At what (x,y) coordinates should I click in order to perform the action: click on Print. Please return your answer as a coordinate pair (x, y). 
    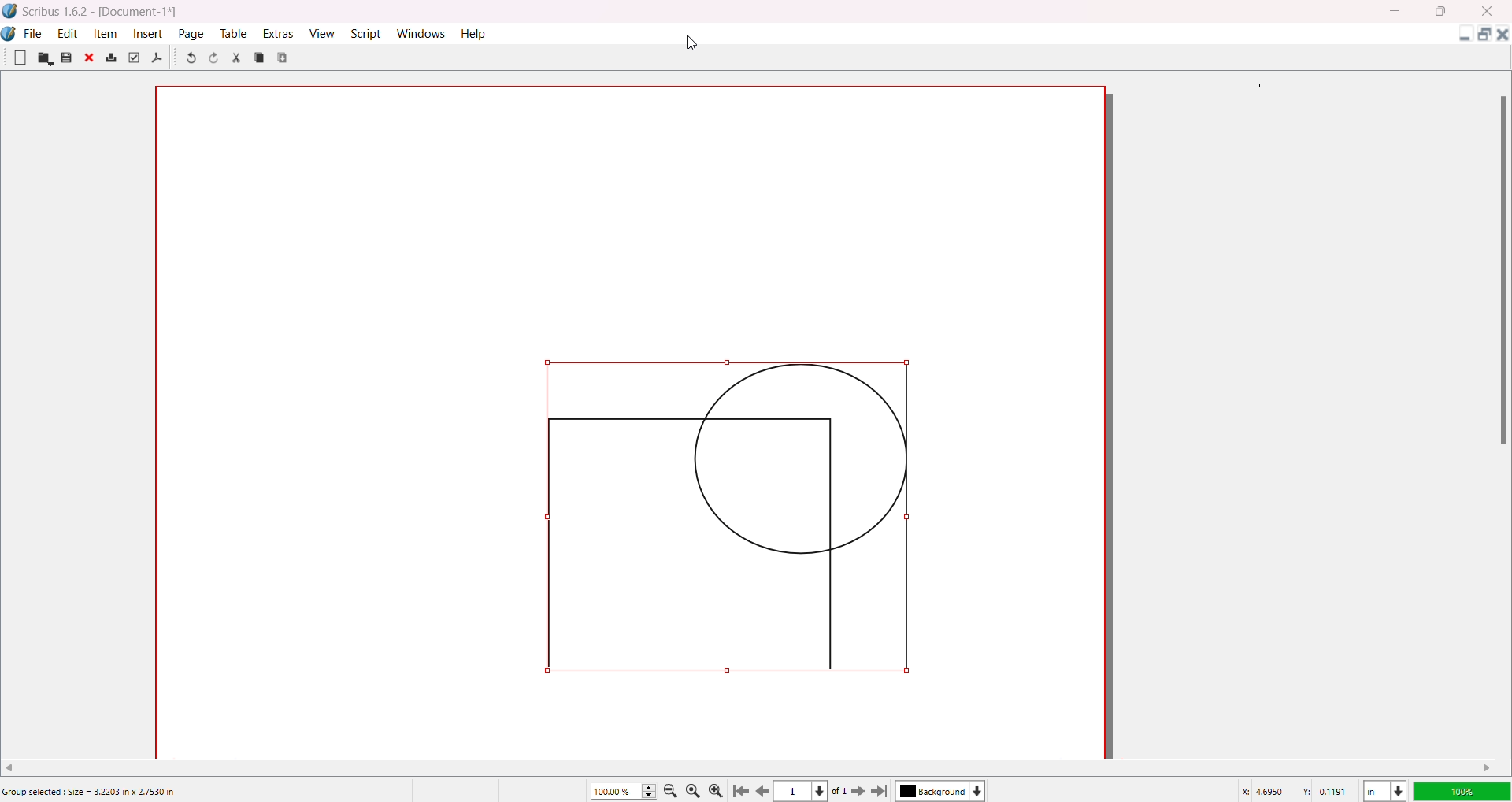
    Looking at the image, I should click on (111, 58).